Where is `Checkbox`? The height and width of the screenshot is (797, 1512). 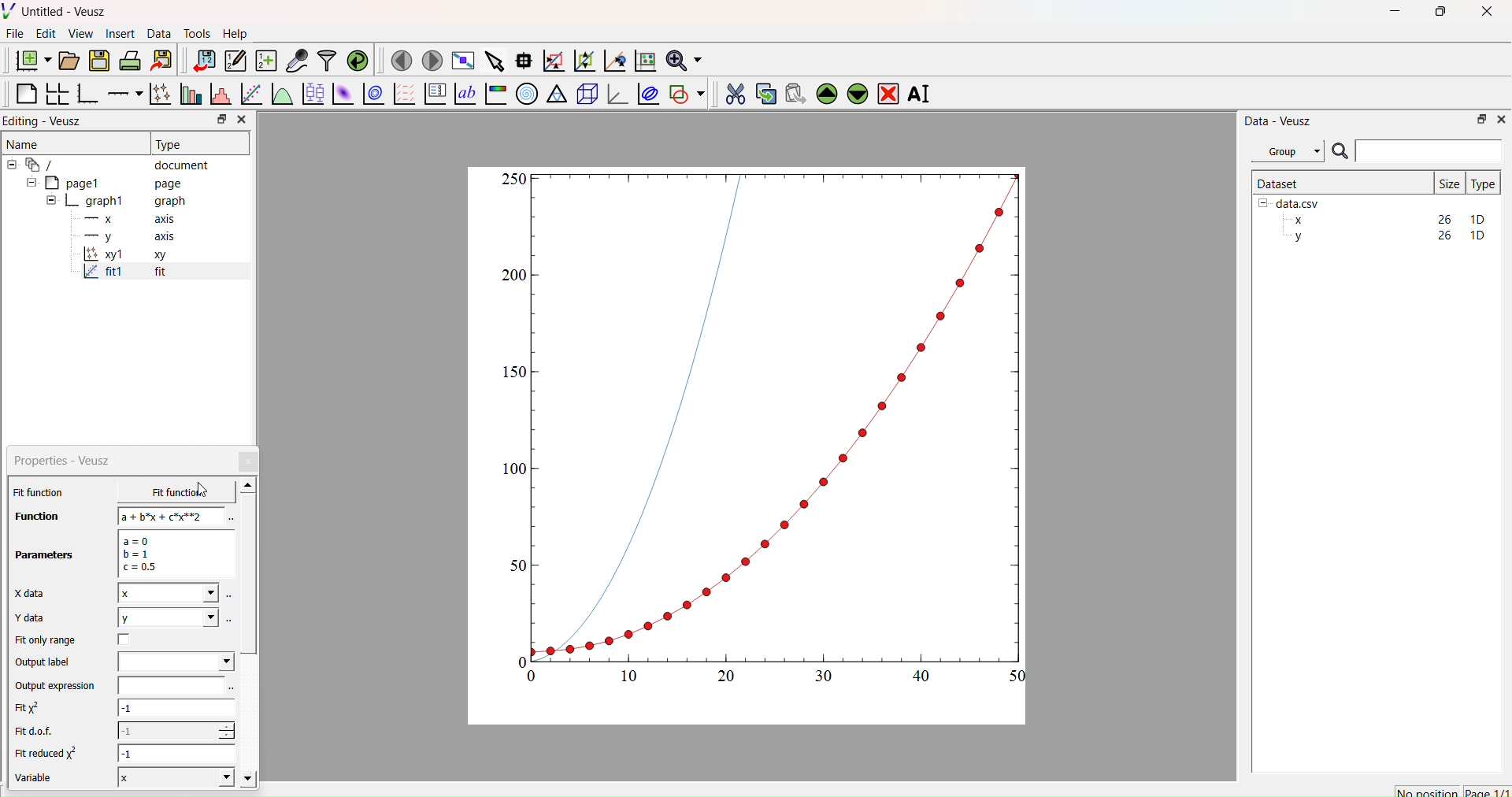 Checkbox is located at coordinates (128, 639).